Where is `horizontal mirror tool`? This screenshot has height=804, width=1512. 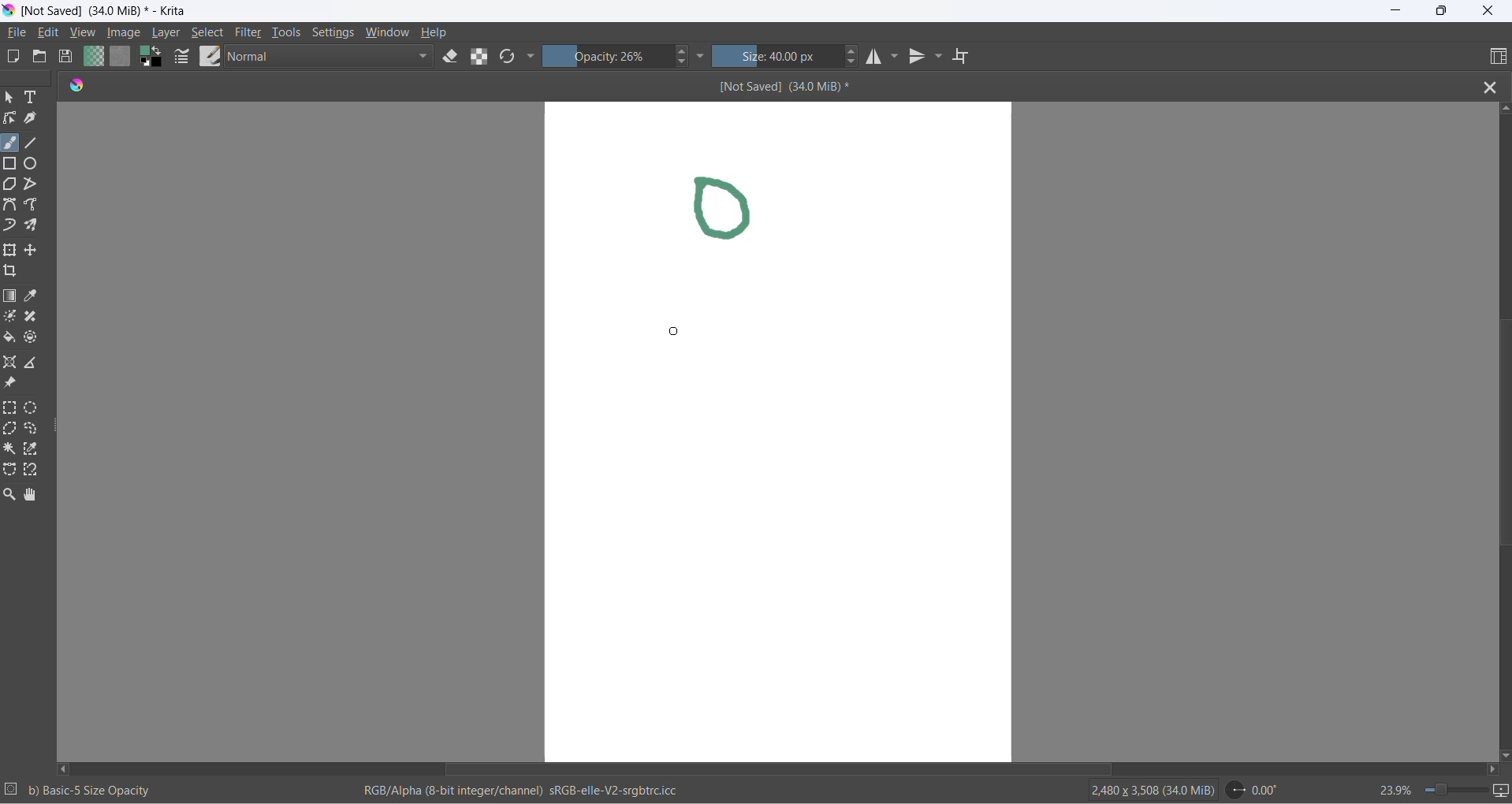
horizontal mirror tool is located at coordinates (875, 57).